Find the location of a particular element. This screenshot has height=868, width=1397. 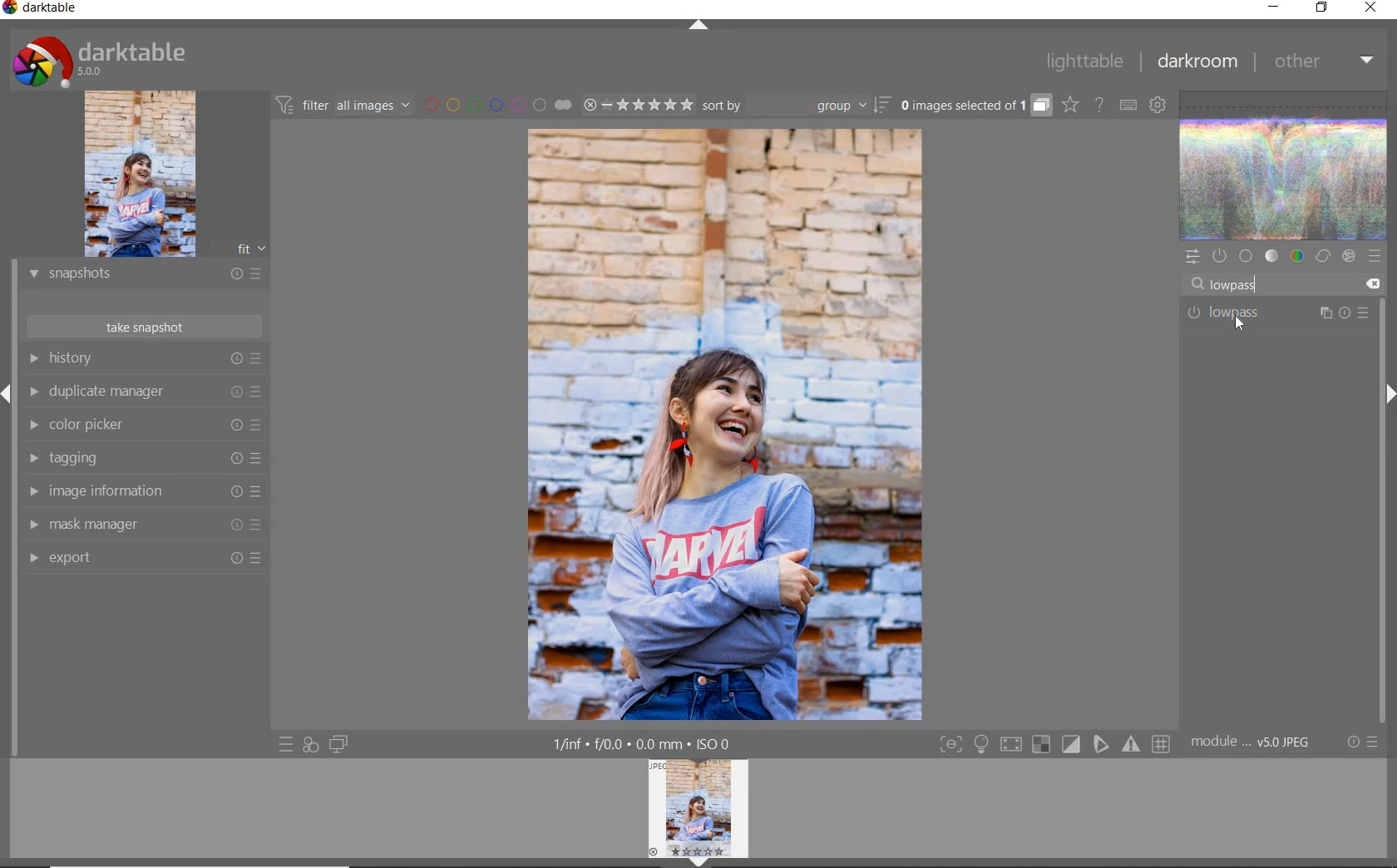

Toggle modes is located at coordinates (1054, 745).